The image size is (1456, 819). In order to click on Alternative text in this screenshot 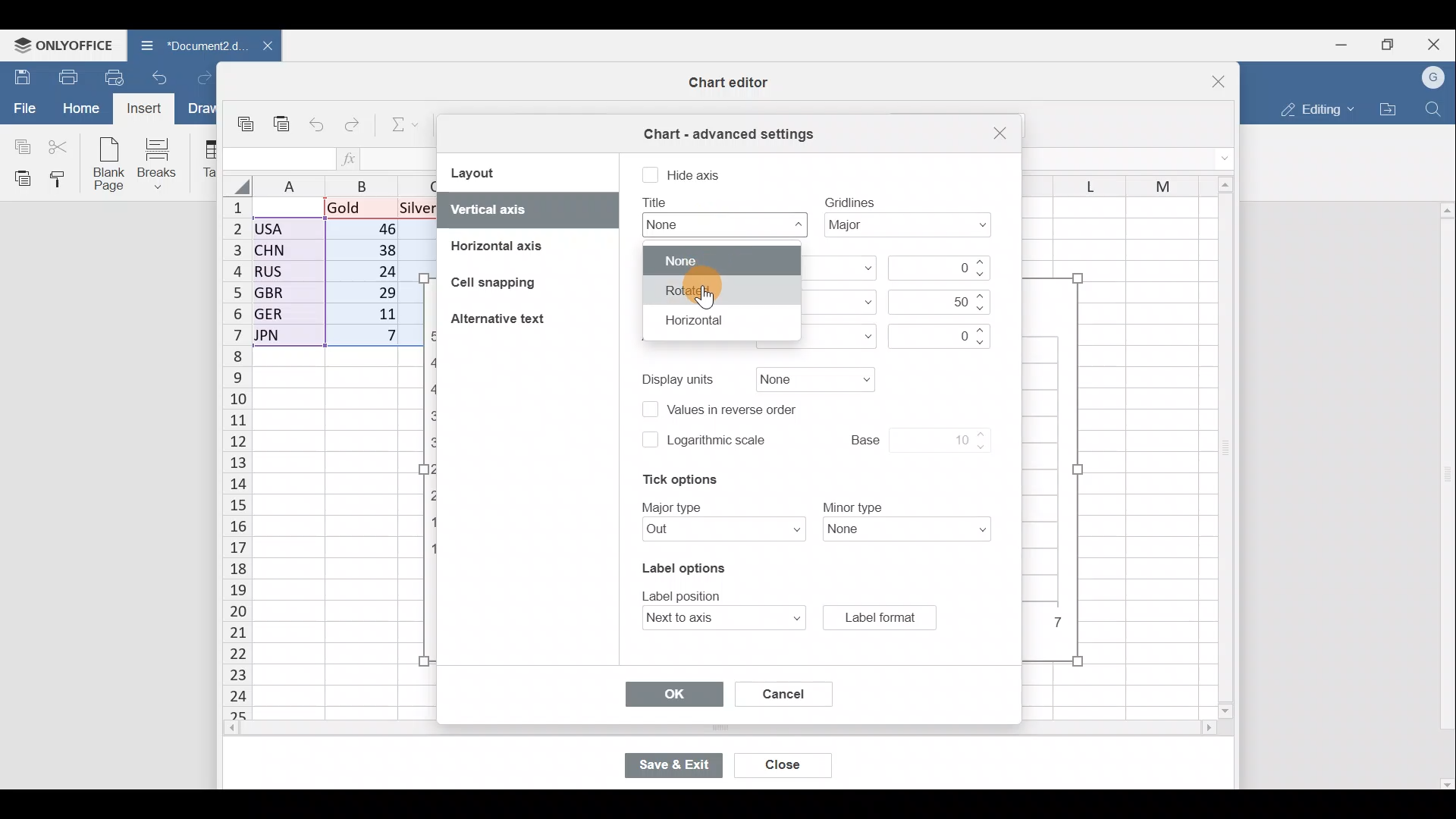, I will do `click(502, 322)`.